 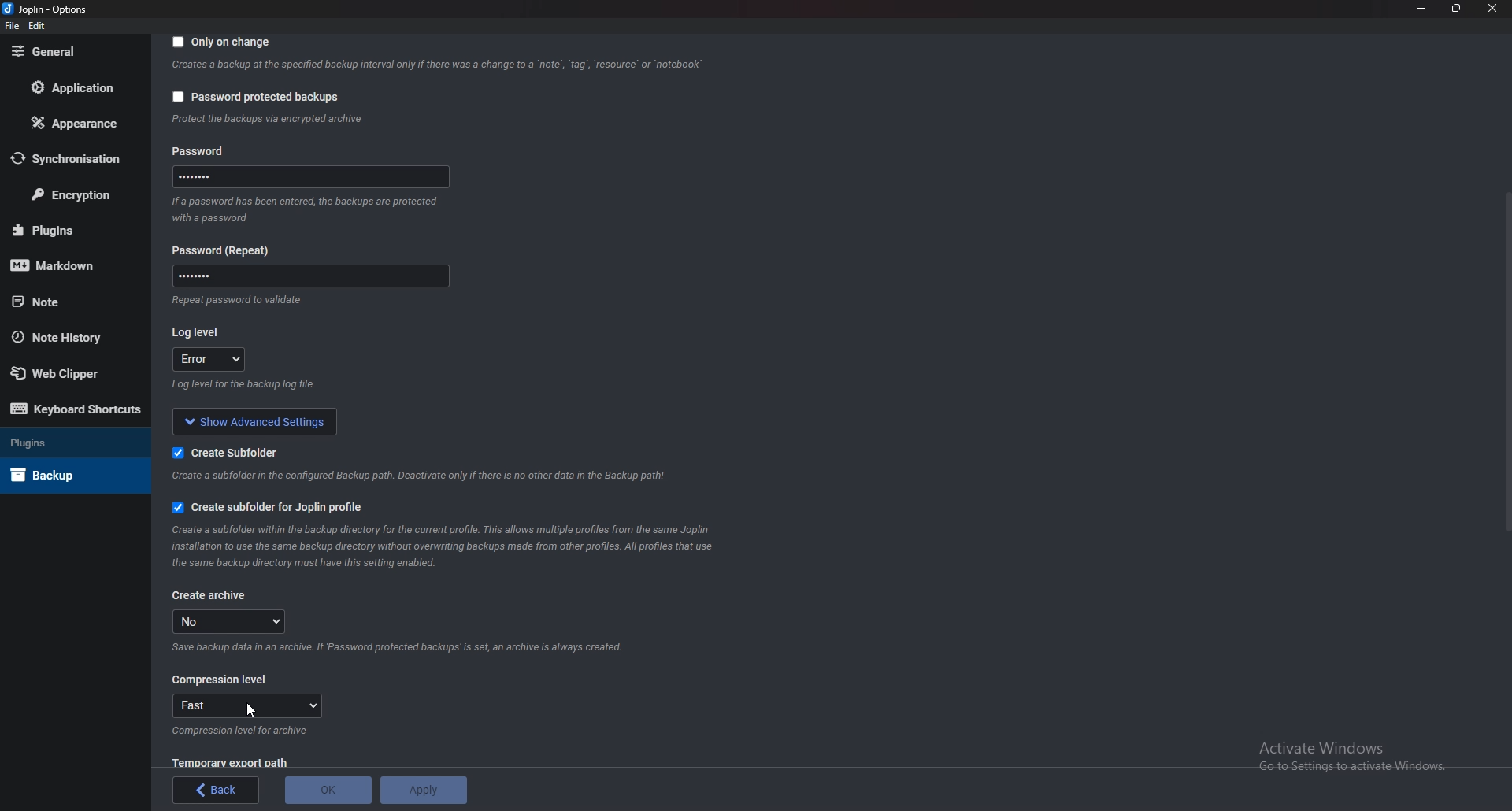 What do you see at coordinates (457, 546) in the screenshot?
I see `Info on subfolder for joplin profile` at bounding box center [457, 546].